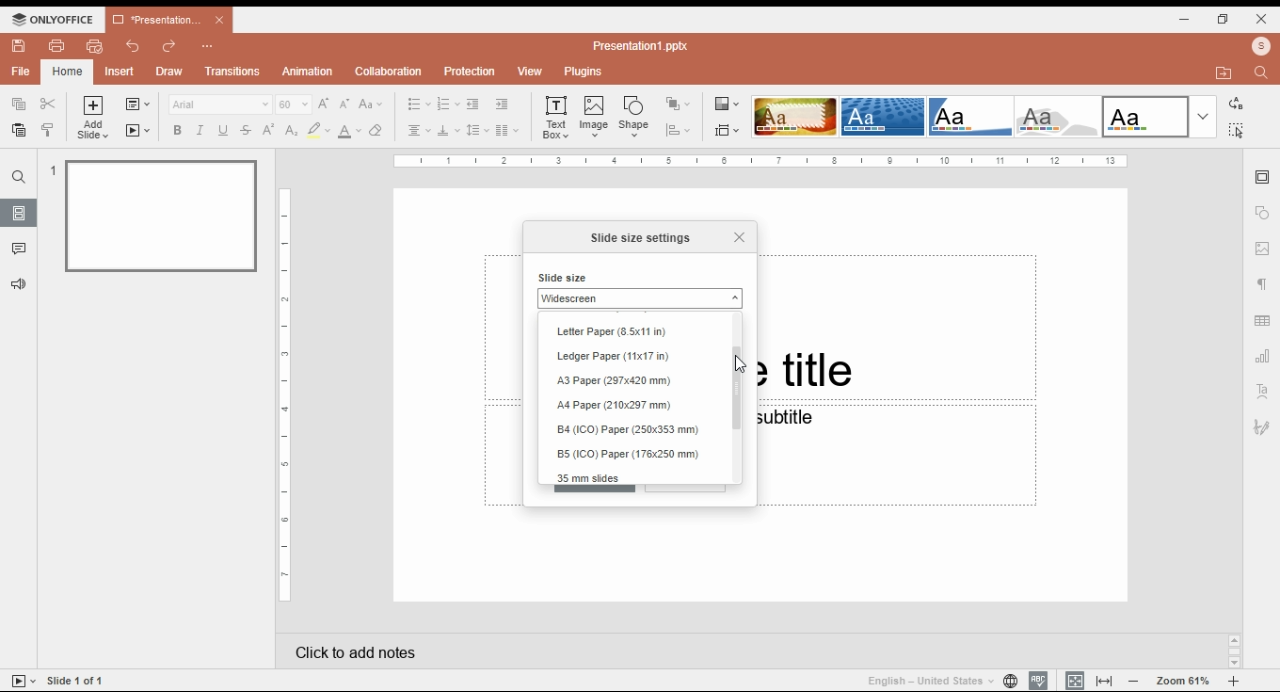 The image size is (1280, 692). Describe the element at coordinates (1264, 71) in the screenshot. I see `find` at that location.